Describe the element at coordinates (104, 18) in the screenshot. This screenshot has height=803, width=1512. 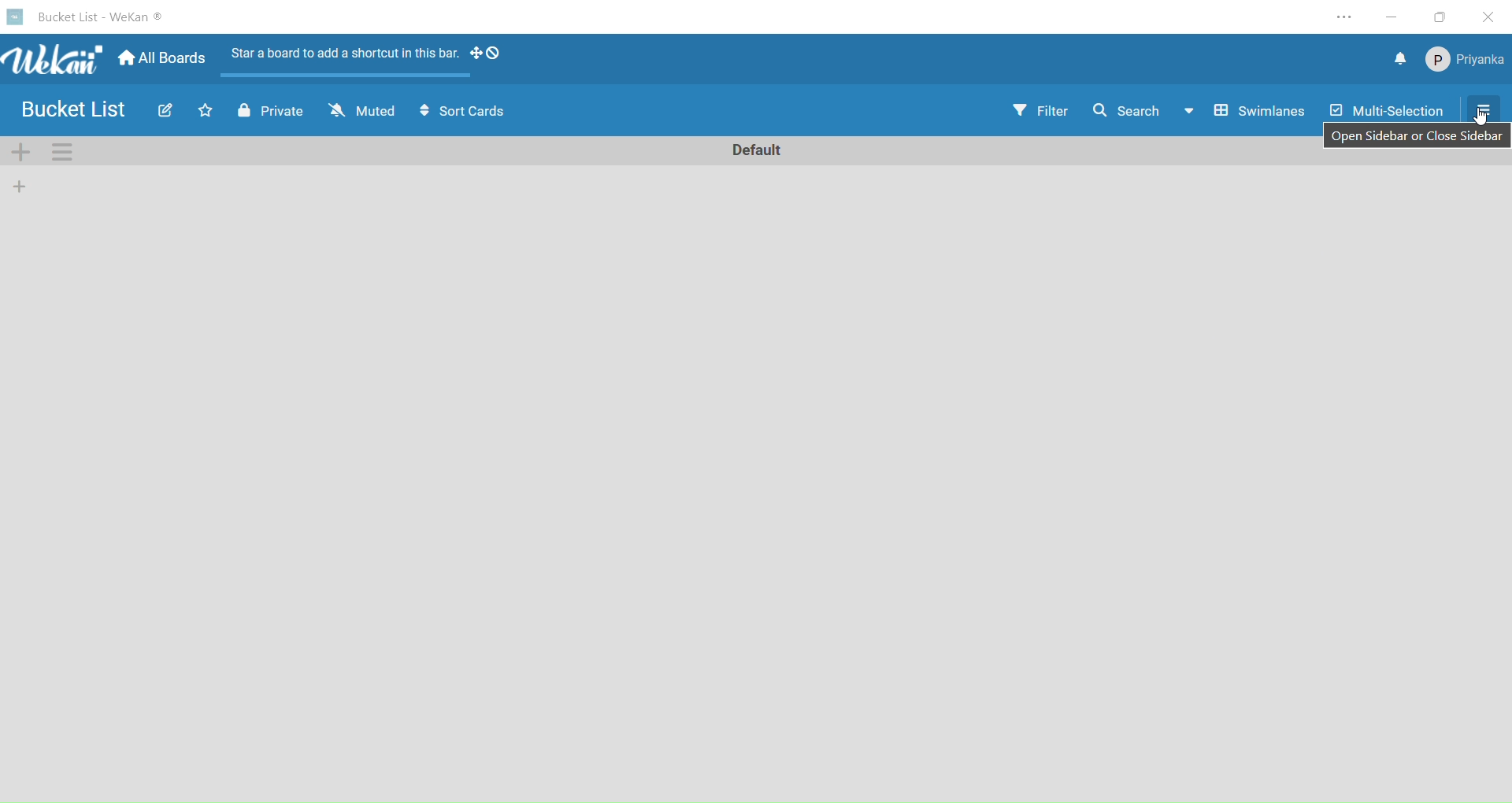
I see `board name` at that location.